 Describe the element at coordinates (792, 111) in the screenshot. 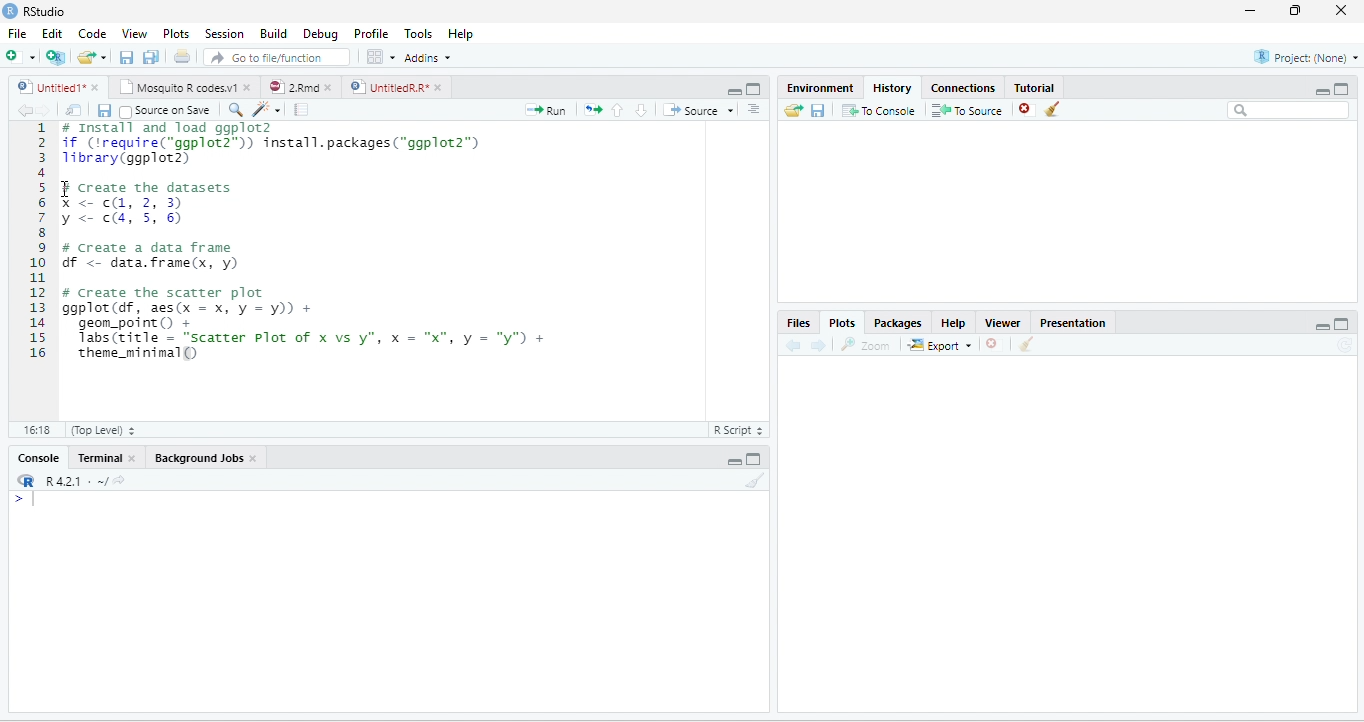

I see `Load history from an existing file` at that location.